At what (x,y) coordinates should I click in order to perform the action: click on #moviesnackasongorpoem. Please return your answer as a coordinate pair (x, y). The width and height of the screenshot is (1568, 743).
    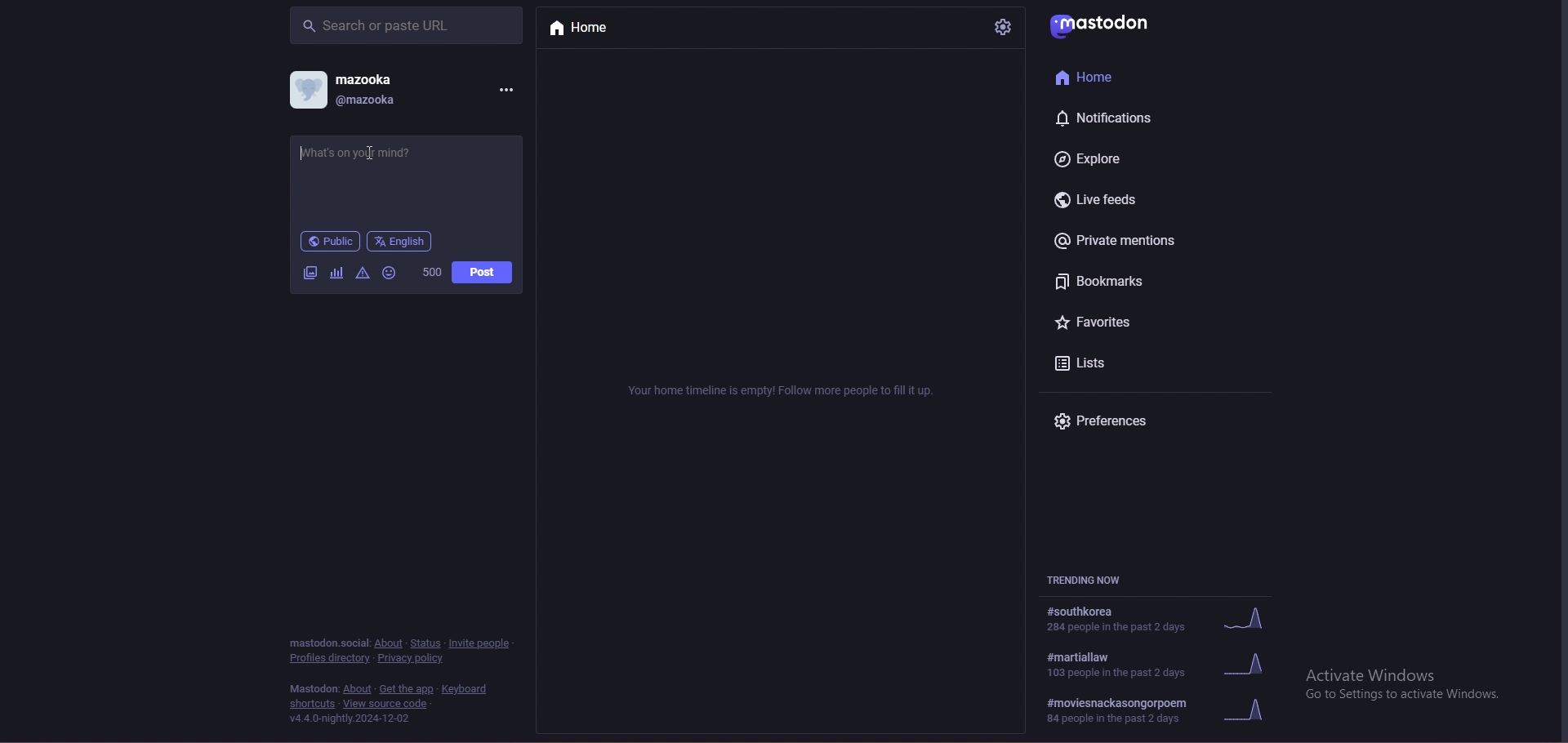
    Looking at the image, I should click on (1159, 709).